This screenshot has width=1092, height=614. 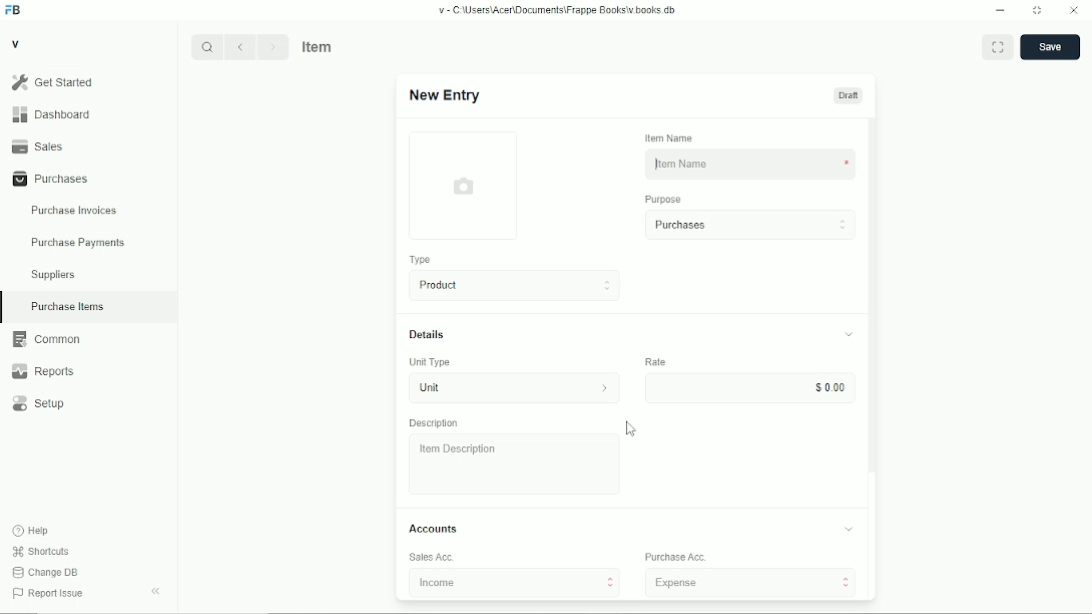 I want to click on help, so click(x=32, y=531).